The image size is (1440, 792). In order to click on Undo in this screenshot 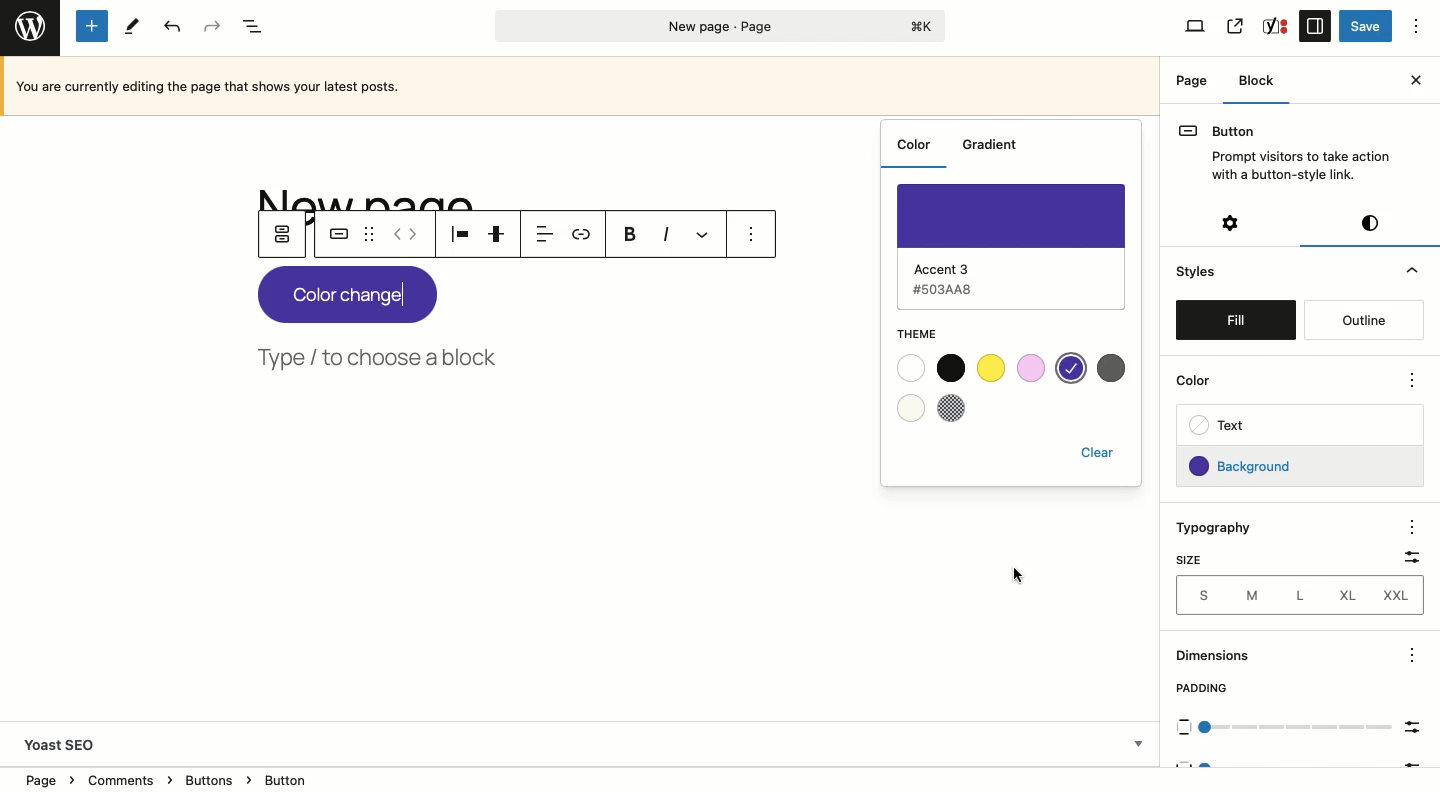, I will do `click(172, 28)`.